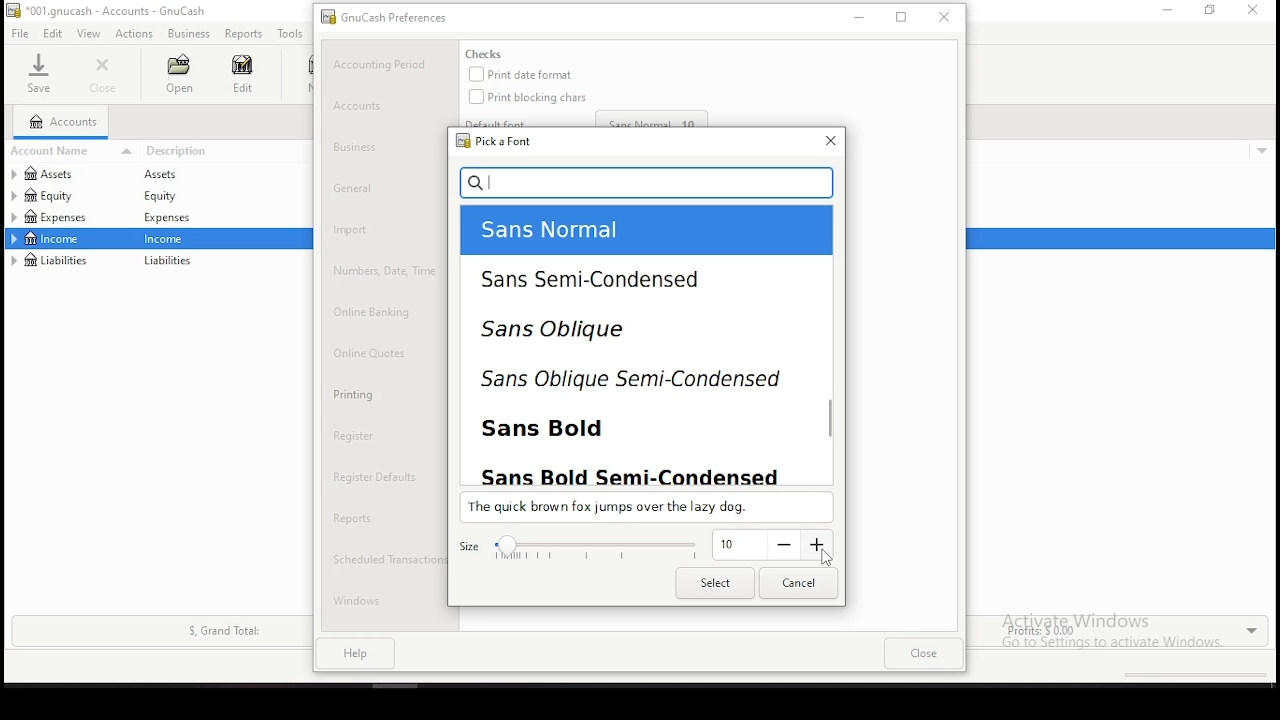 The width and height of the screenshot is (1280, 720). What do you see at coordinates (106, 11) in the screenshot?
I see `*001.gnucash - accounts - GnuCash` at bounding box center [106, 11].